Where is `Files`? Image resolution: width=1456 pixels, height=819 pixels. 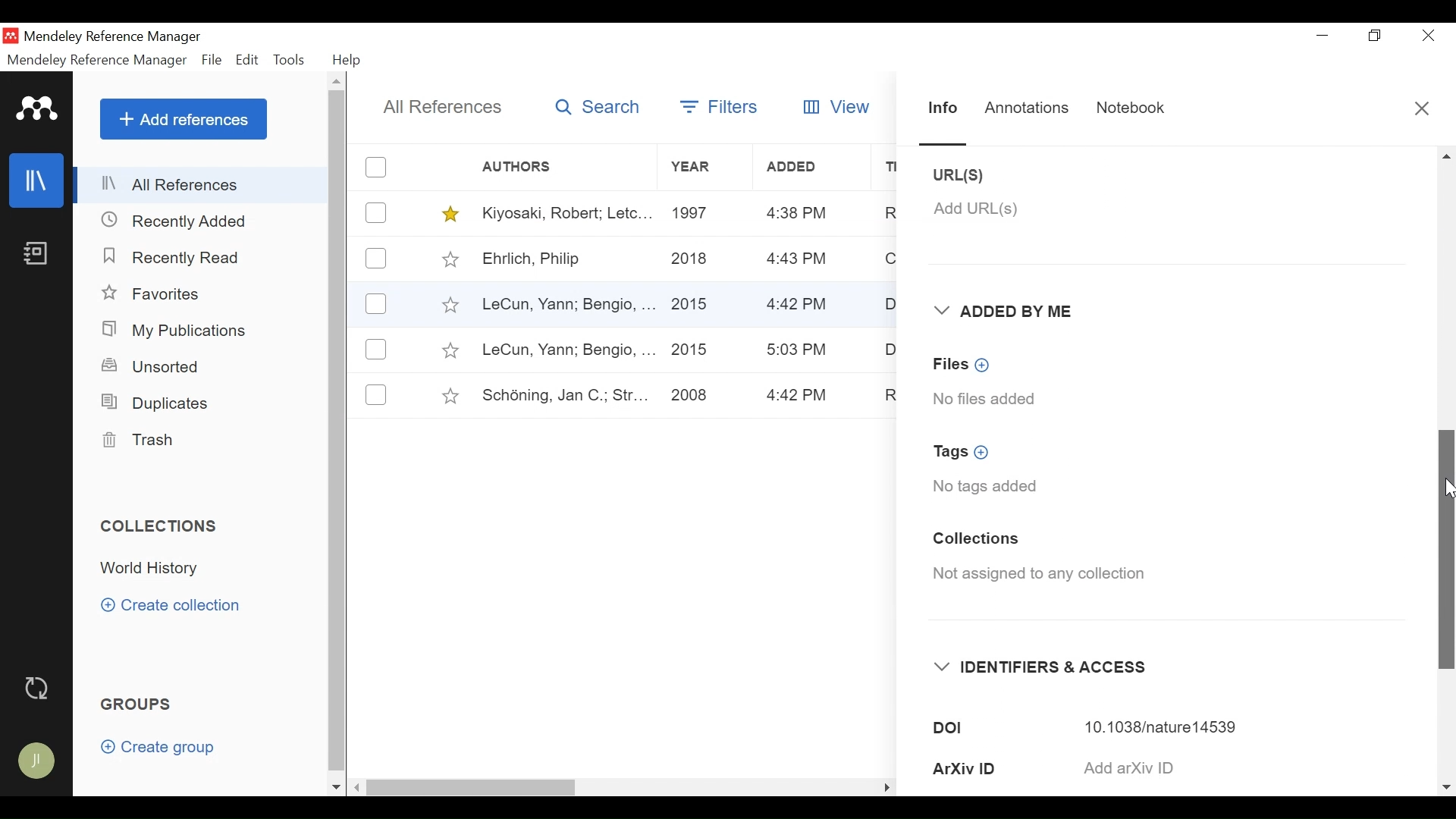 Files is located at coordinates (965, 364).